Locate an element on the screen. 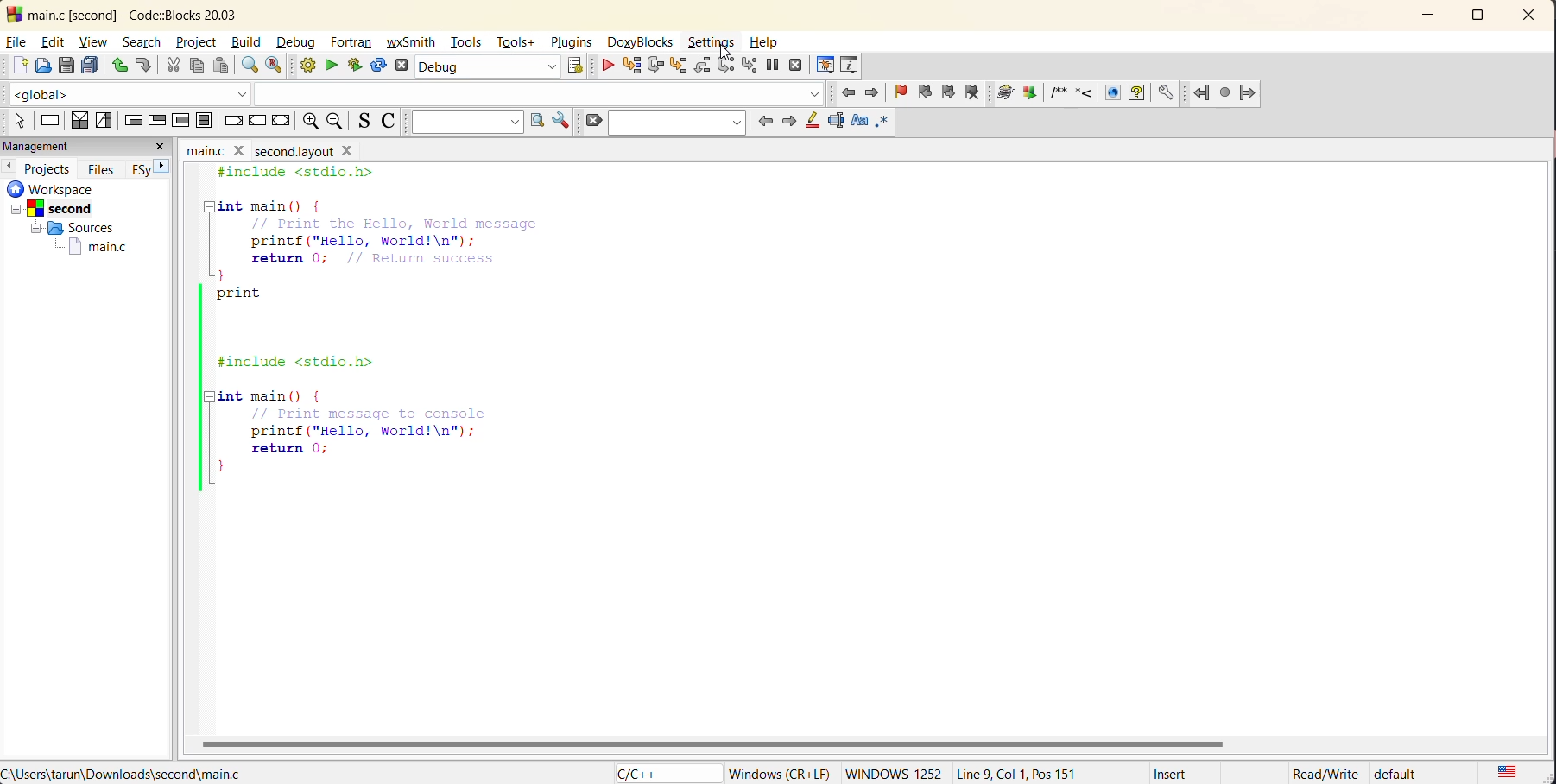  workspace is located at coordinates (78, 188).